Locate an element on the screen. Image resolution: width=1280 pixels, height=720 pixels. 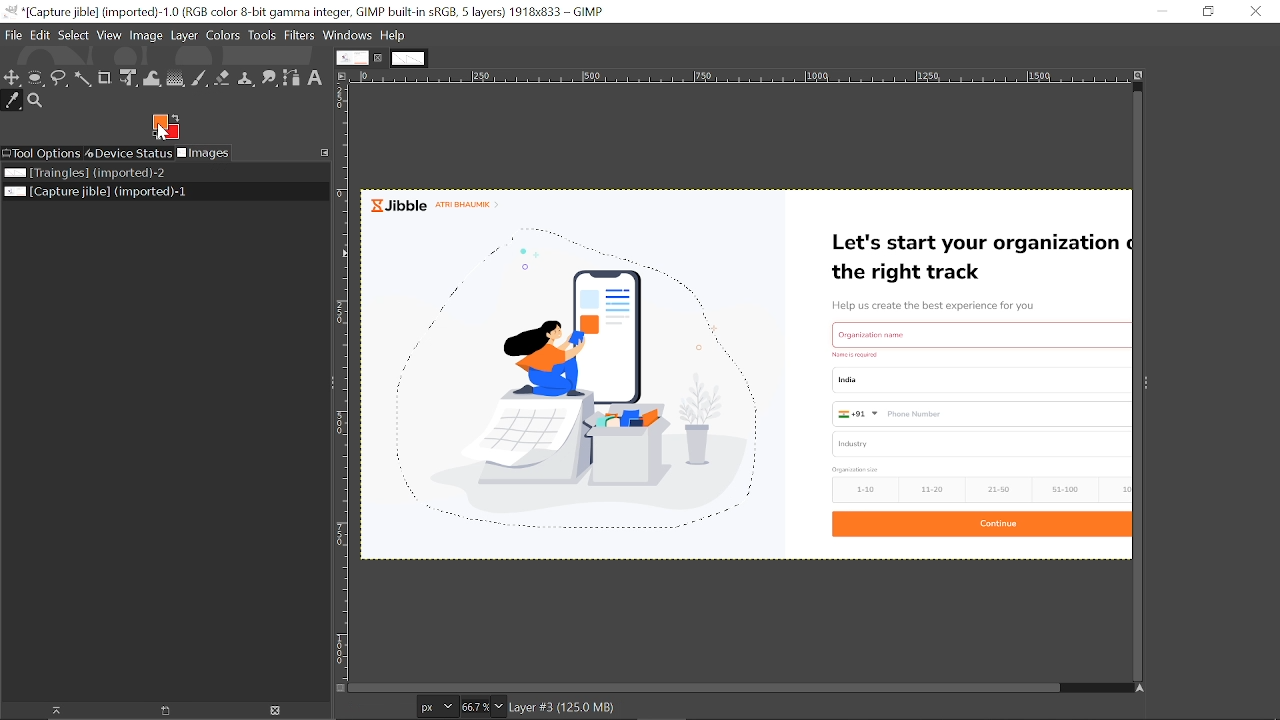
Access the image menu is located at coordinates (341, 75).